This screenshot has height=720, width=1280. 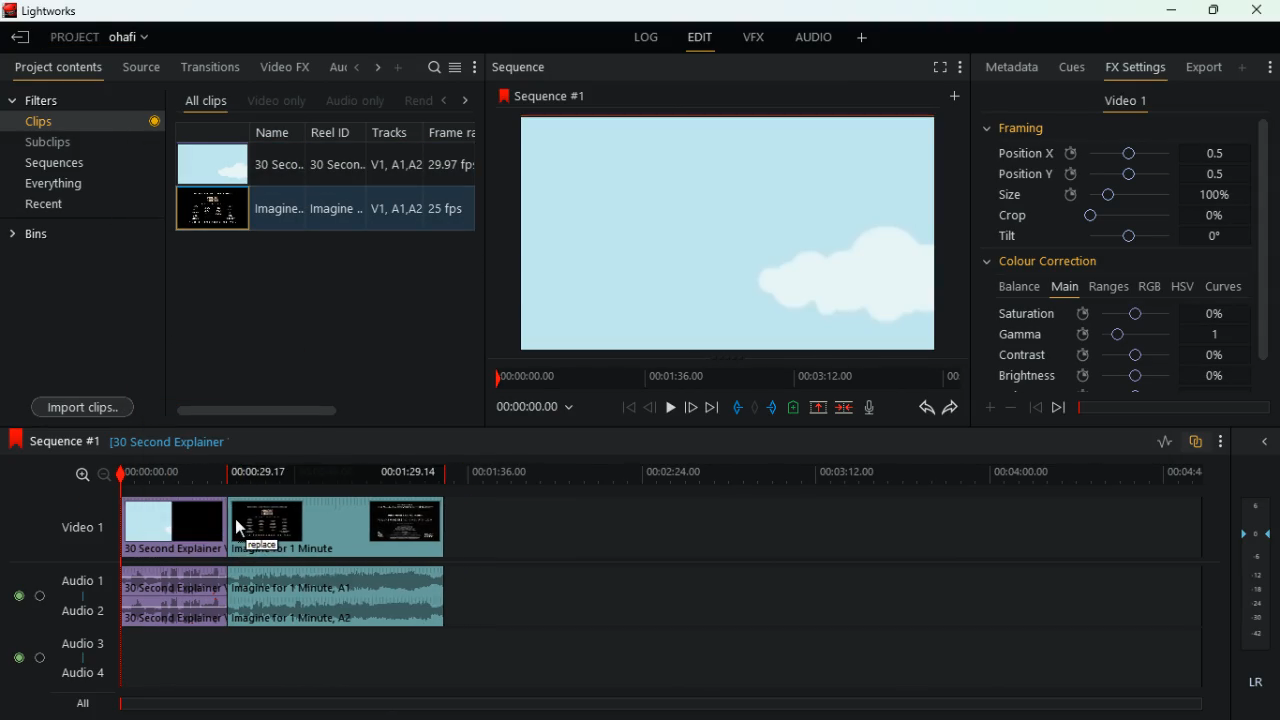 I want to click on metadata, so click(x=1012, y=67).